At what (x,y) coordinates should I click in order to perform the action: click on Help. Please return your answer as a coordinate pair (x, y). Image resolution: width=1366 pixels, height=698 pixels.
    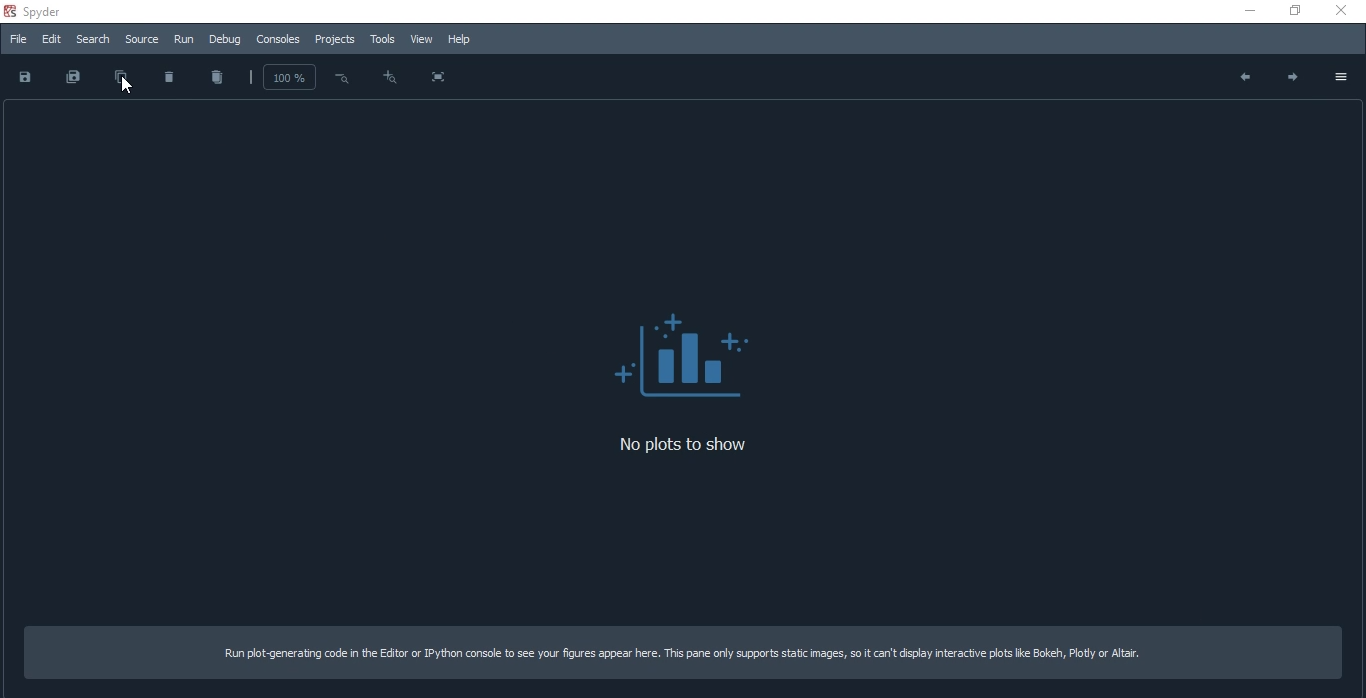
    Looking at the image, I should click on (460, 40).